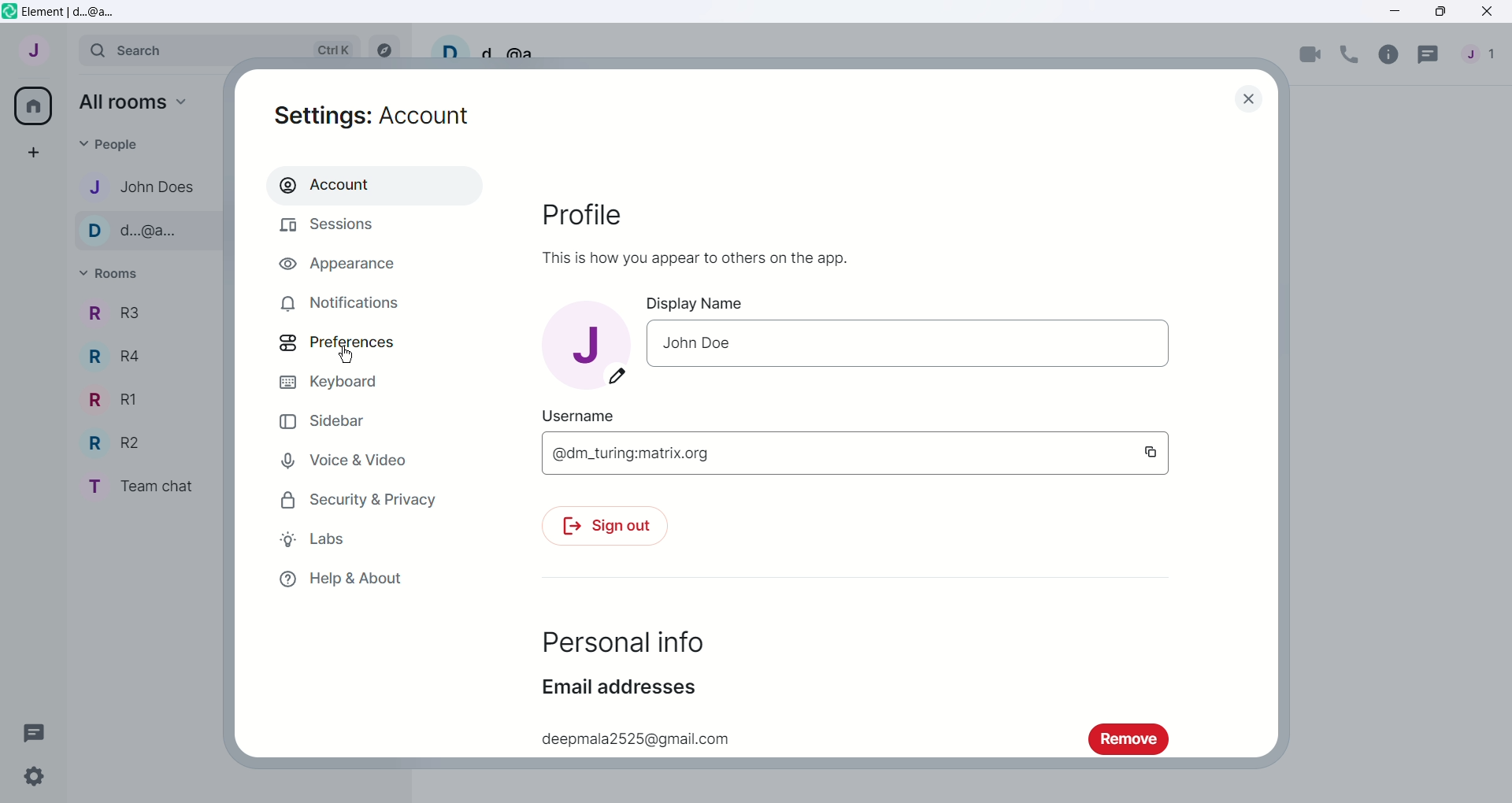 The height and width of the screenshot is (803, 1512). Describe the element at coordinates (120, 358) in the screenshot. I see `R4 - Room Name` at that location.